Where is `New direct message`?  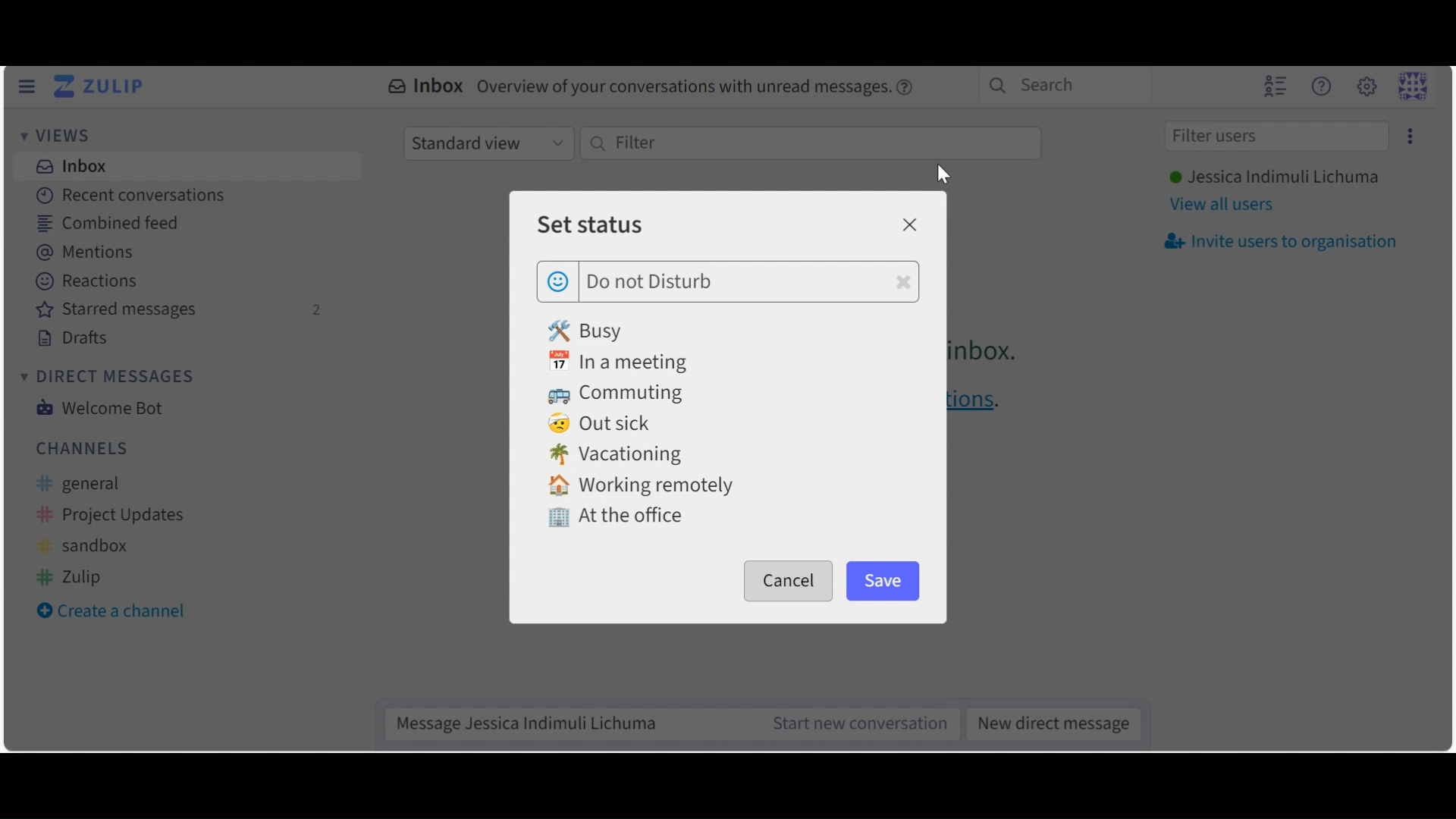
New direct message is located at coordinates (1049, 722).